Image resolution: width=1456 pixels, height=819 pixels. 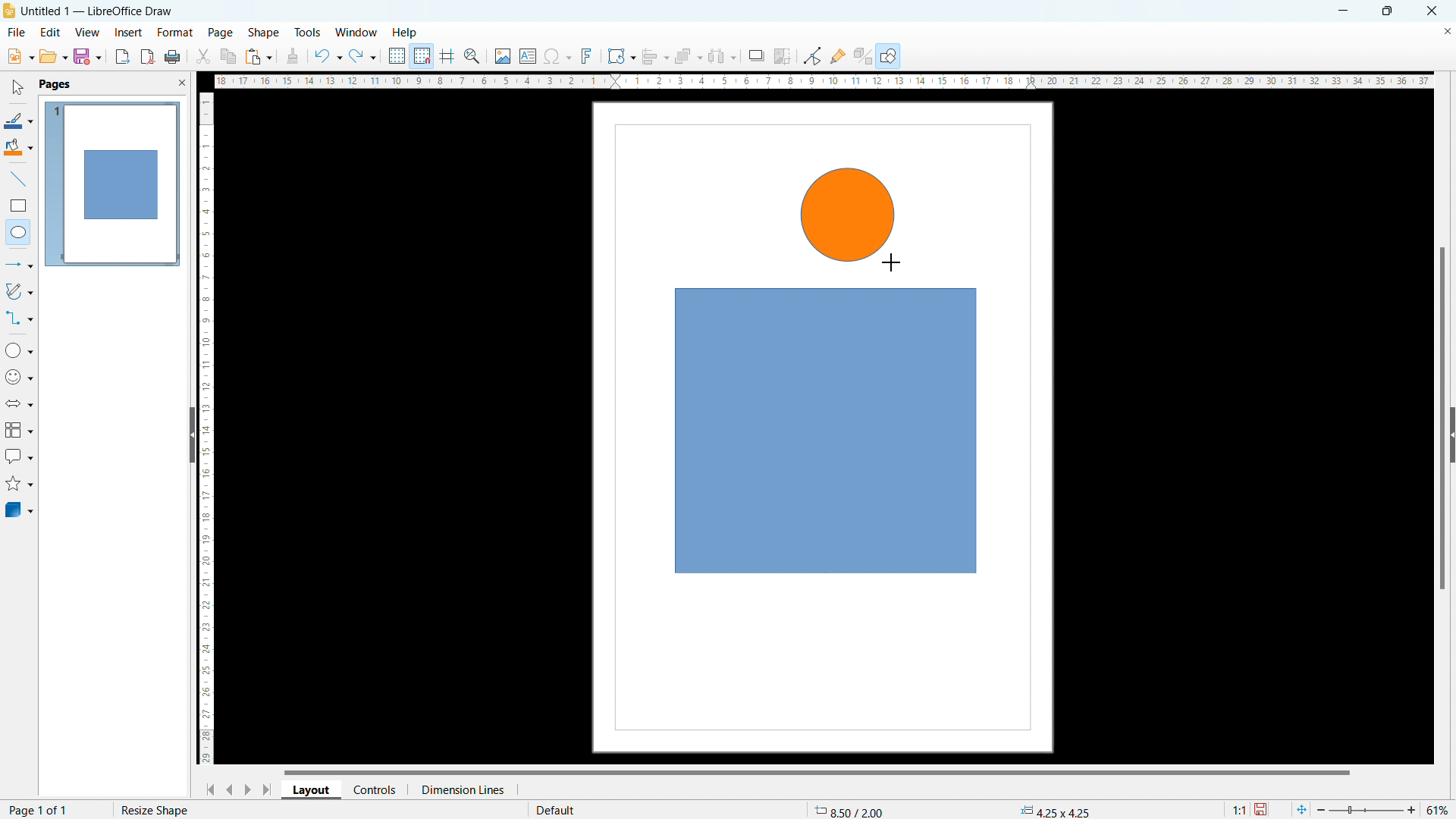 I want to click on zoom i=out, so click(x=1323, y=808).